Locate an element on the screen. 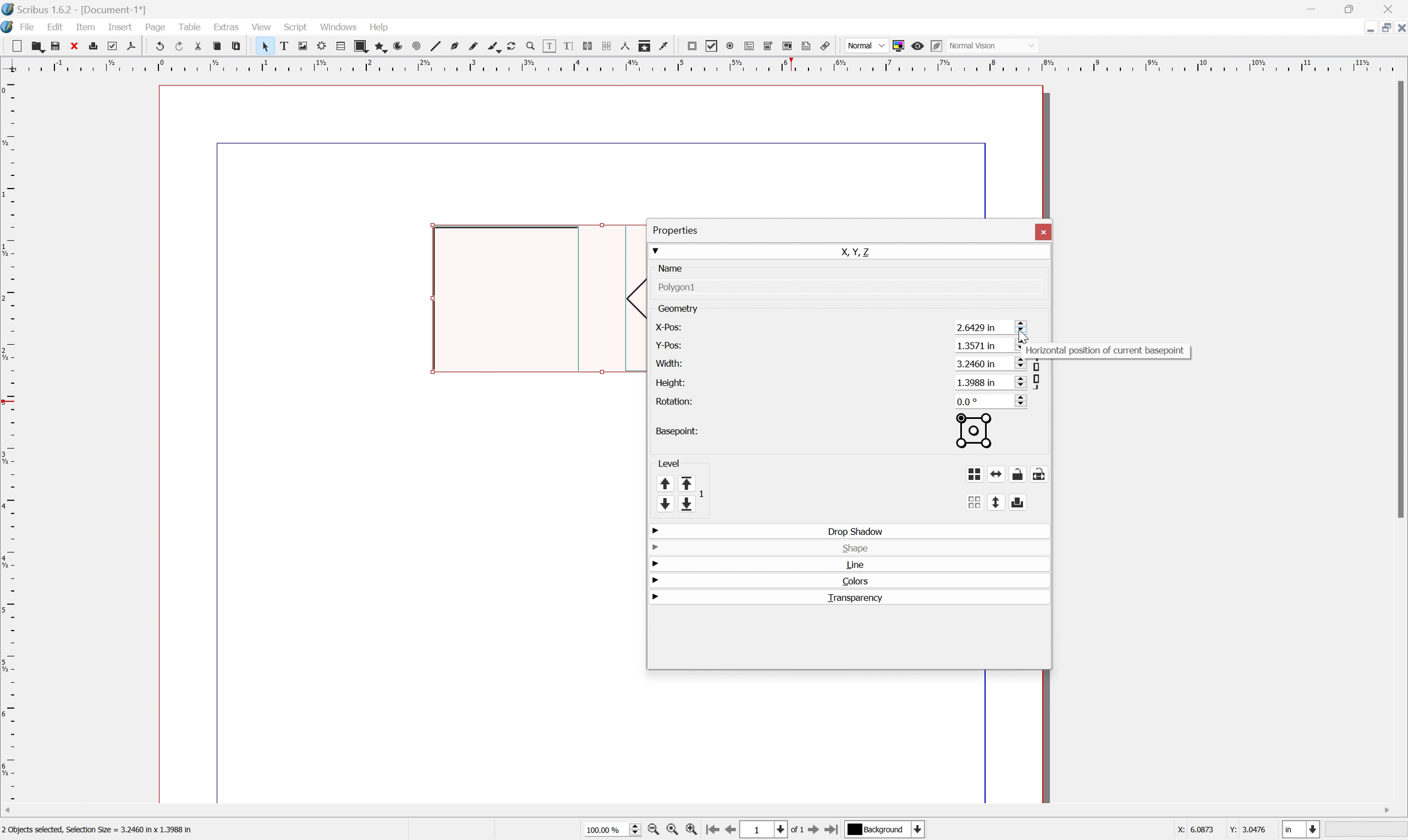 Image resolution: width=1408 pixels, height=840 pixels. 0.0 is located at coordinates (992, 401).